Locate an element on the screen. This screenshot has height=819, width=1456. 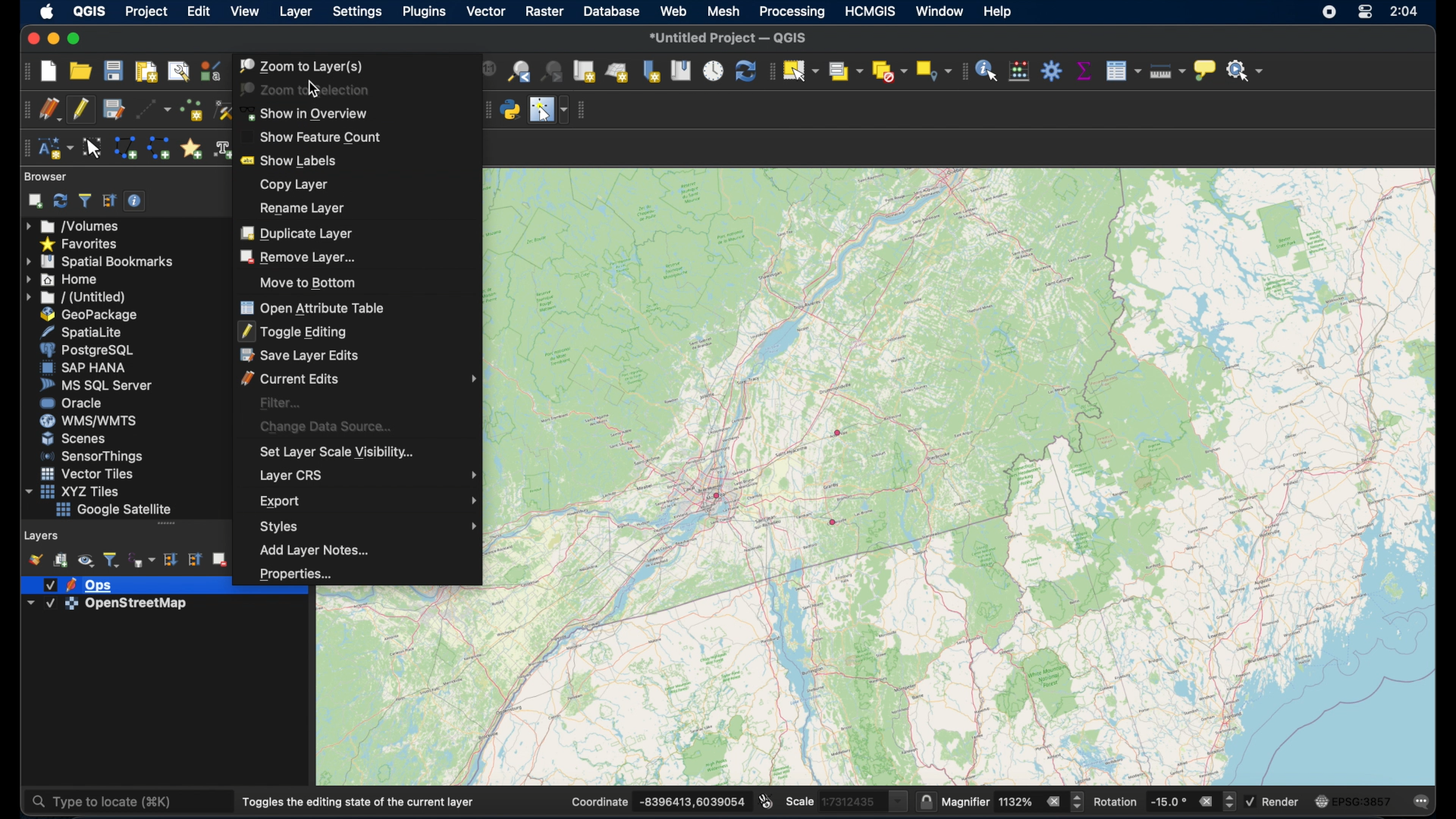
current cos is located at coordinates (1354, 801).